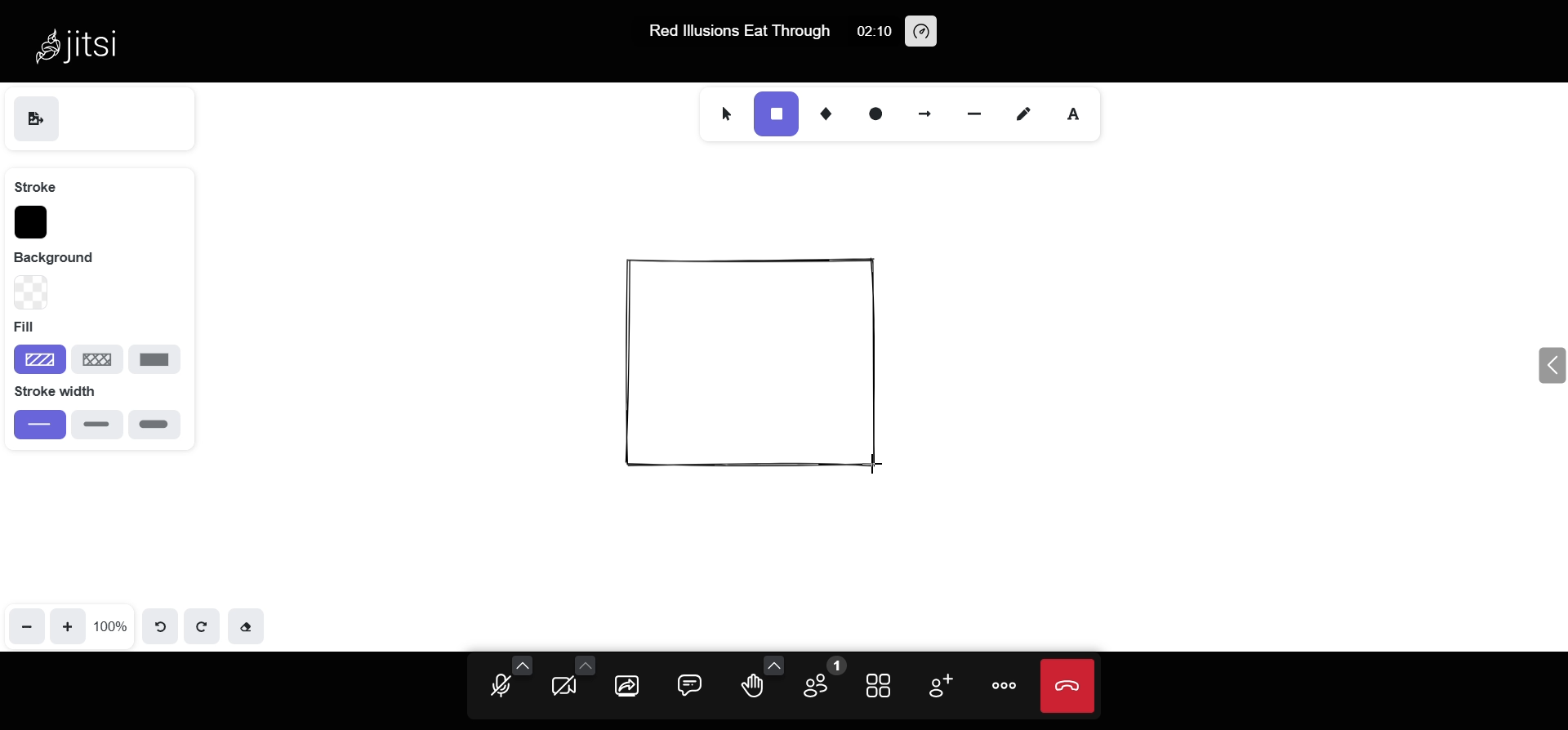 This screenshot has width=1568, height=730. Describe the element at coordinates (29, 292) in the screenshot. I see `background type` at that location.